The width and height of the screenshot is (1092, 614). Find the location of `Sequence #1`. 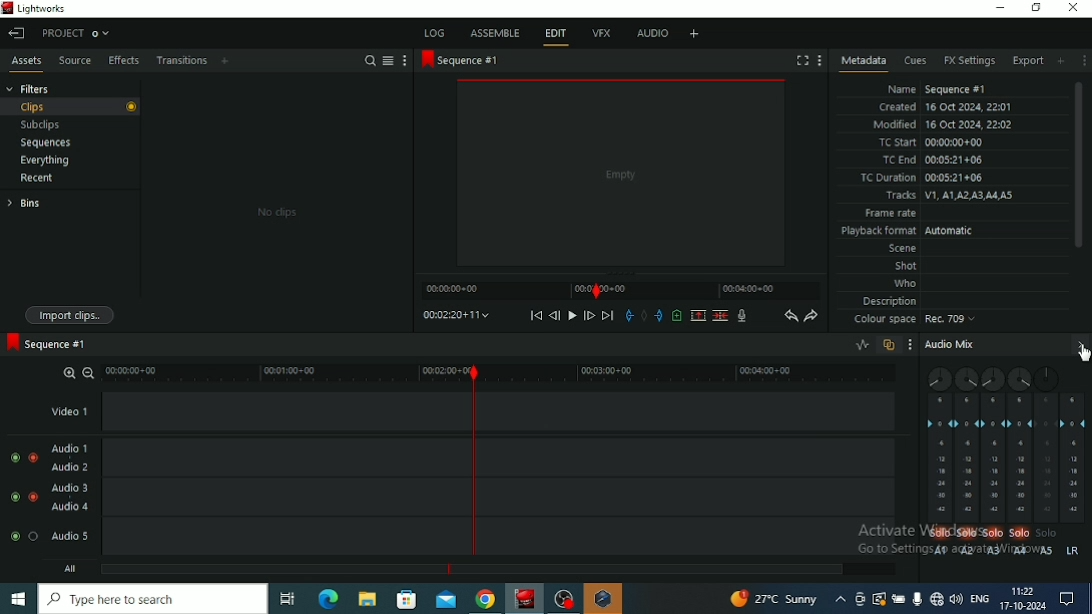

Sequence #1 is located at coordinates (461, 60).